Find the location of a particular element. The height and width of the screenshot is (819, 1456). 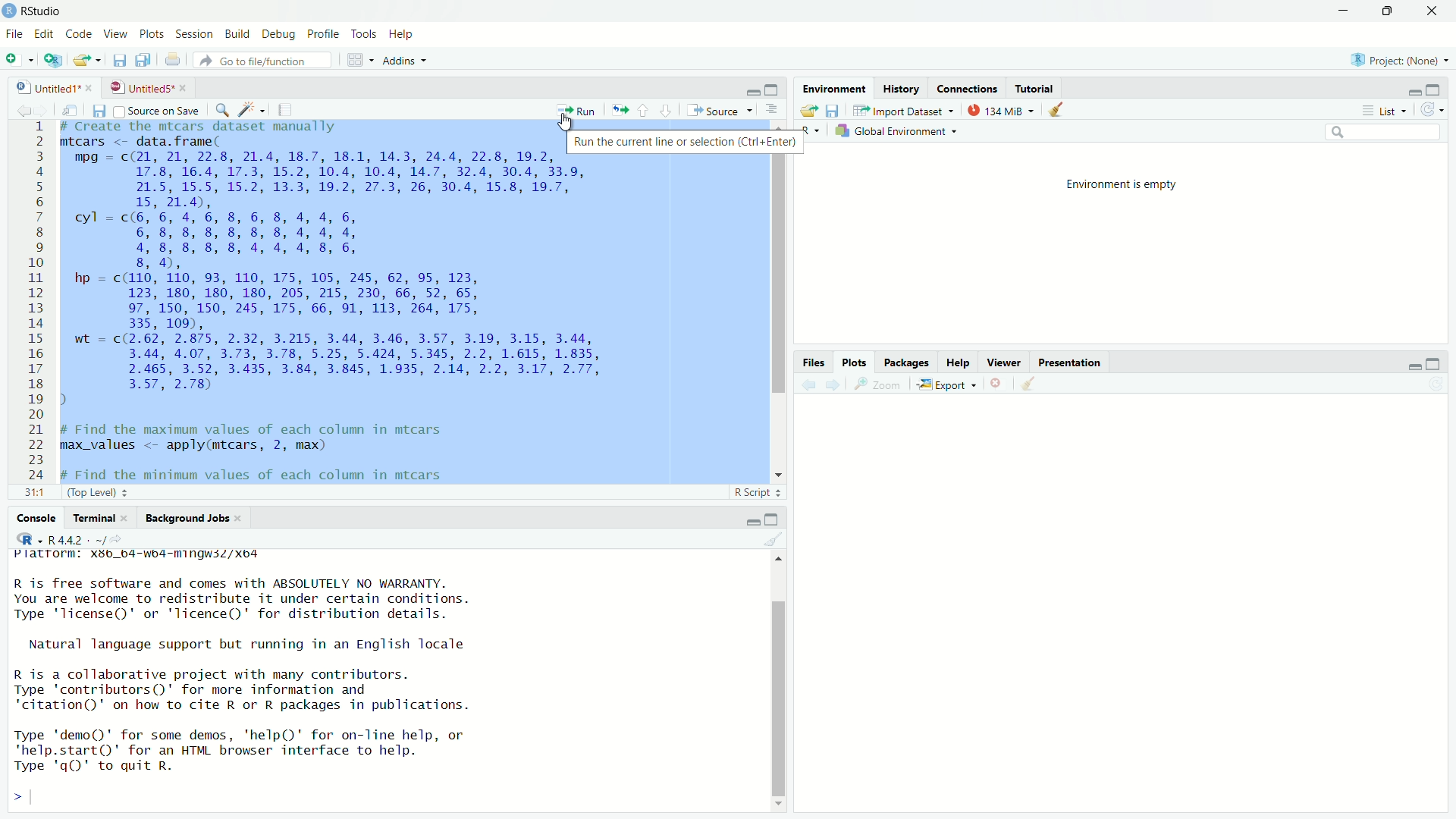

Tools is located at coordinates (362, 33).